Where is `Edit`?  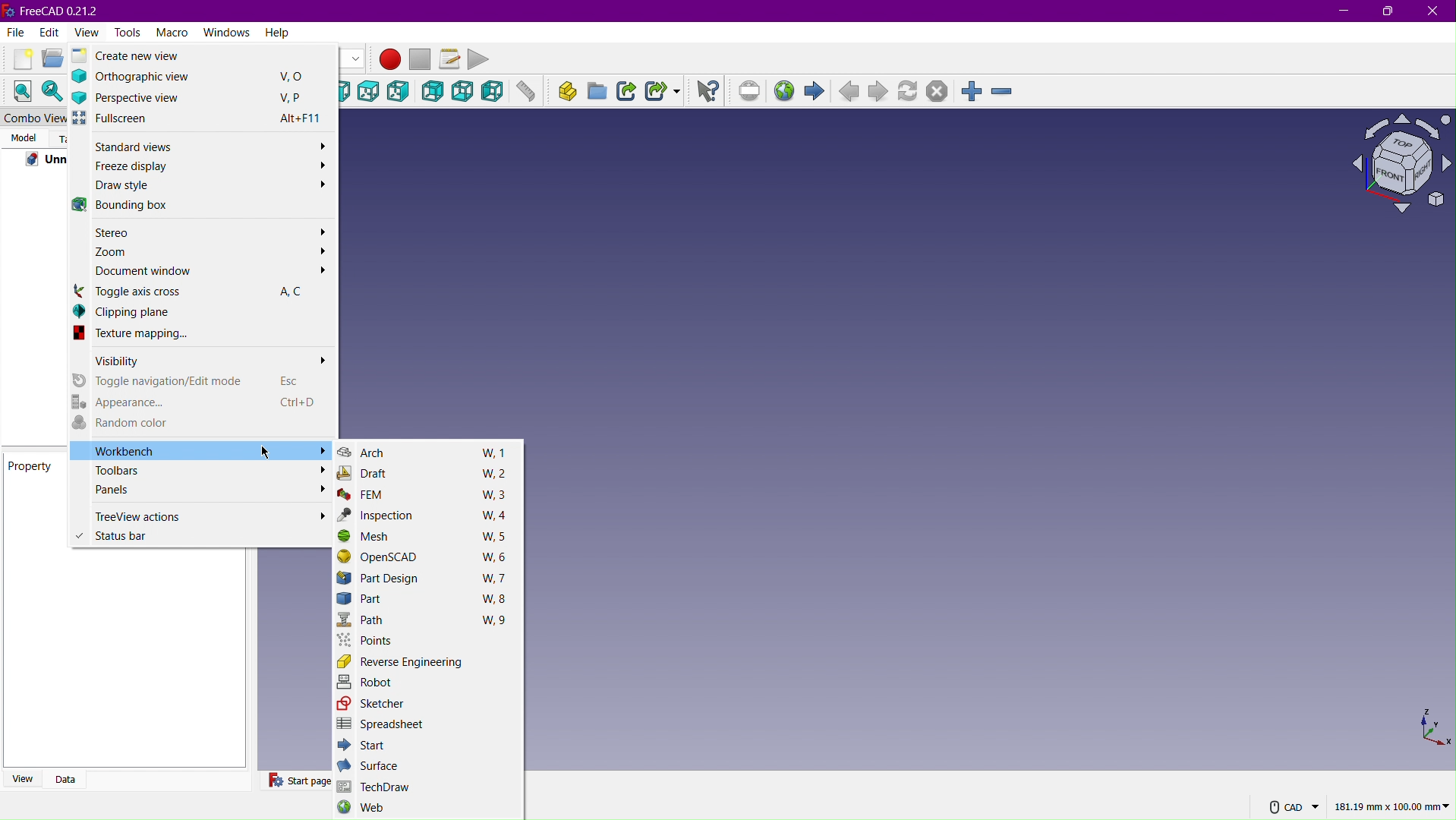 Edit is located at coordinates (49, 32).